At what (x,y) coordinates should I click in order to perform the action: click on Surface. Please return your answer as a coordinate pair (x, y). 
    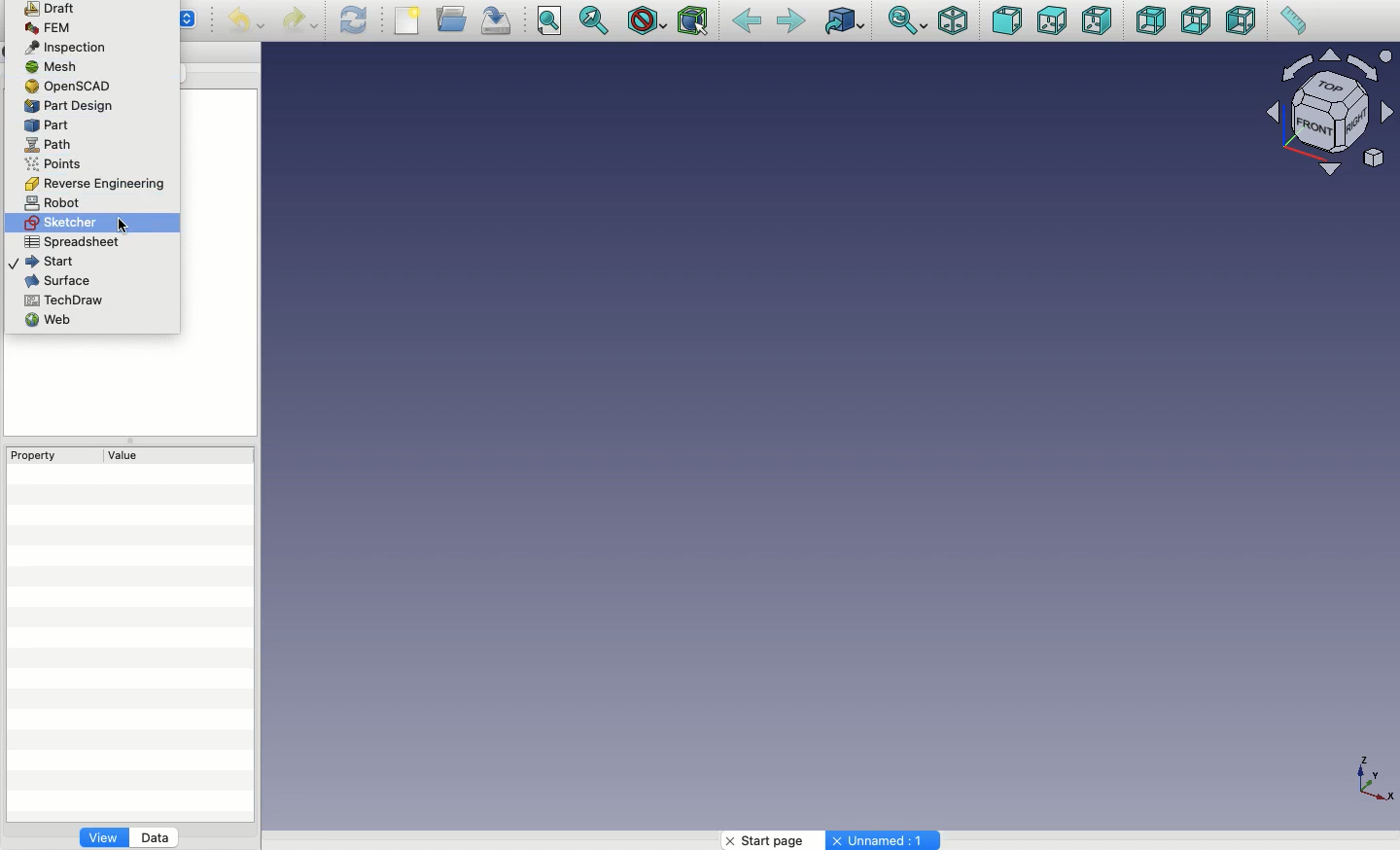
    Looking at the image, I should click on (56, 281).